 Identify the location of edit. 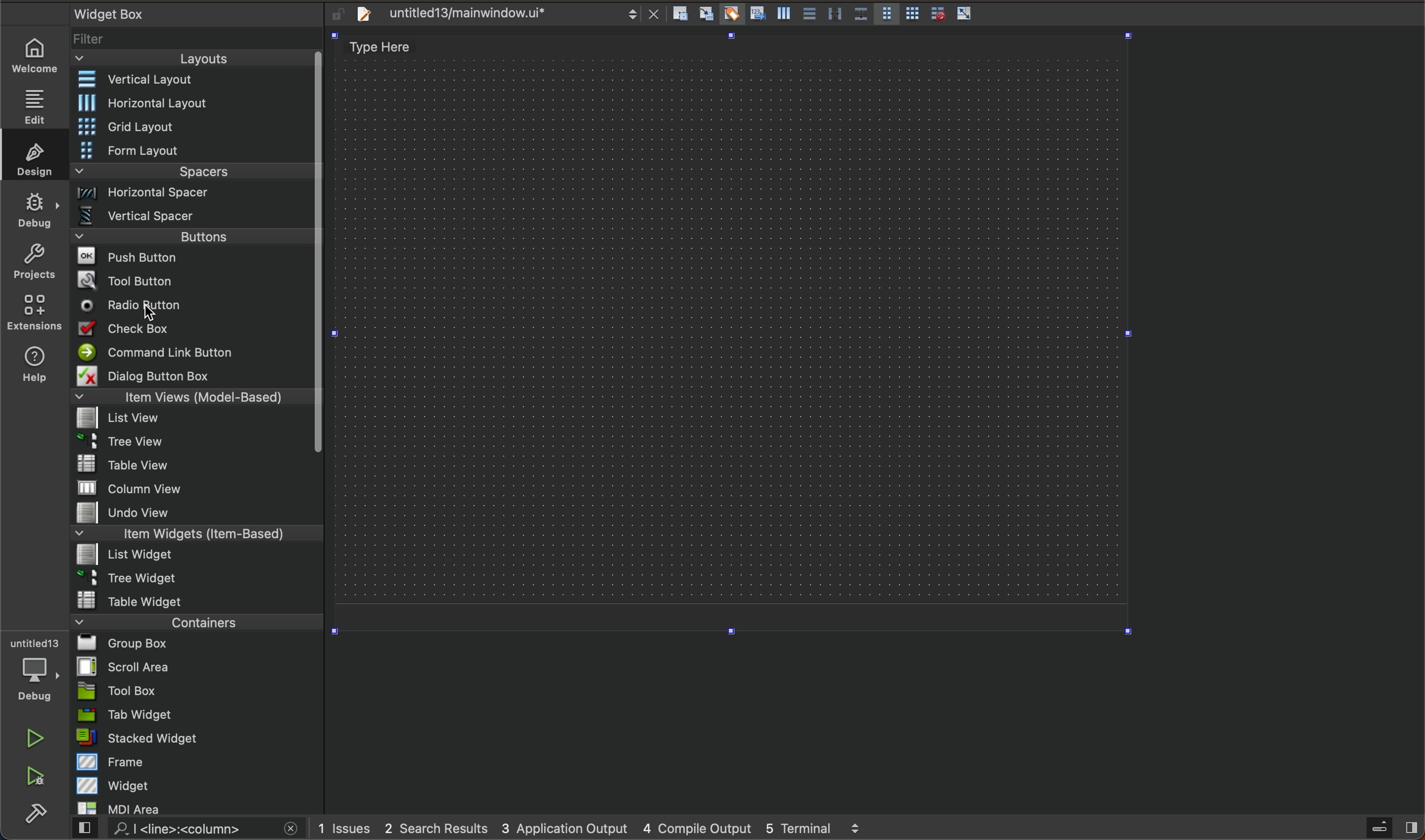
(40, 102).